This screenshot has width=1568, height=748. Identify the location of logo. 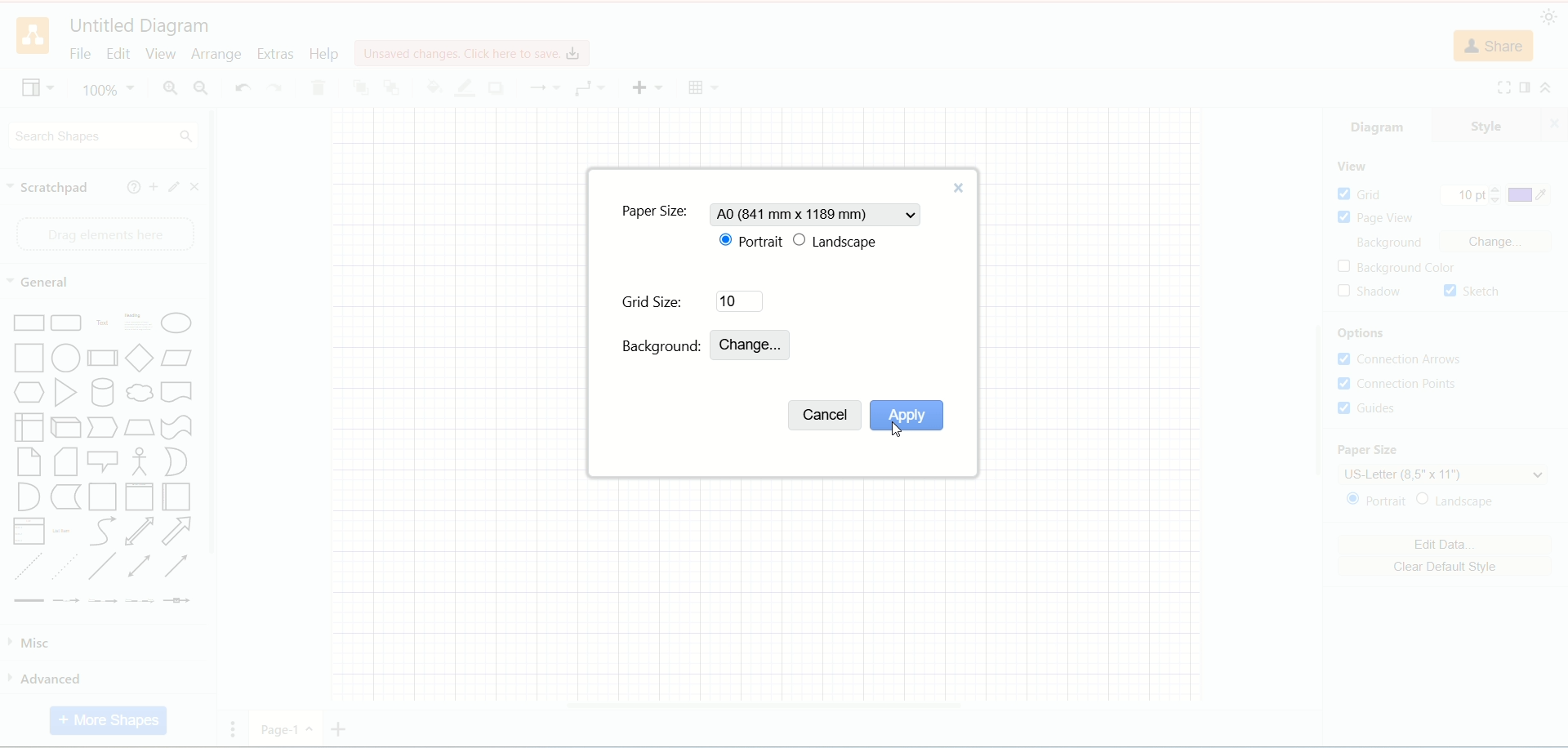
(33, 37).